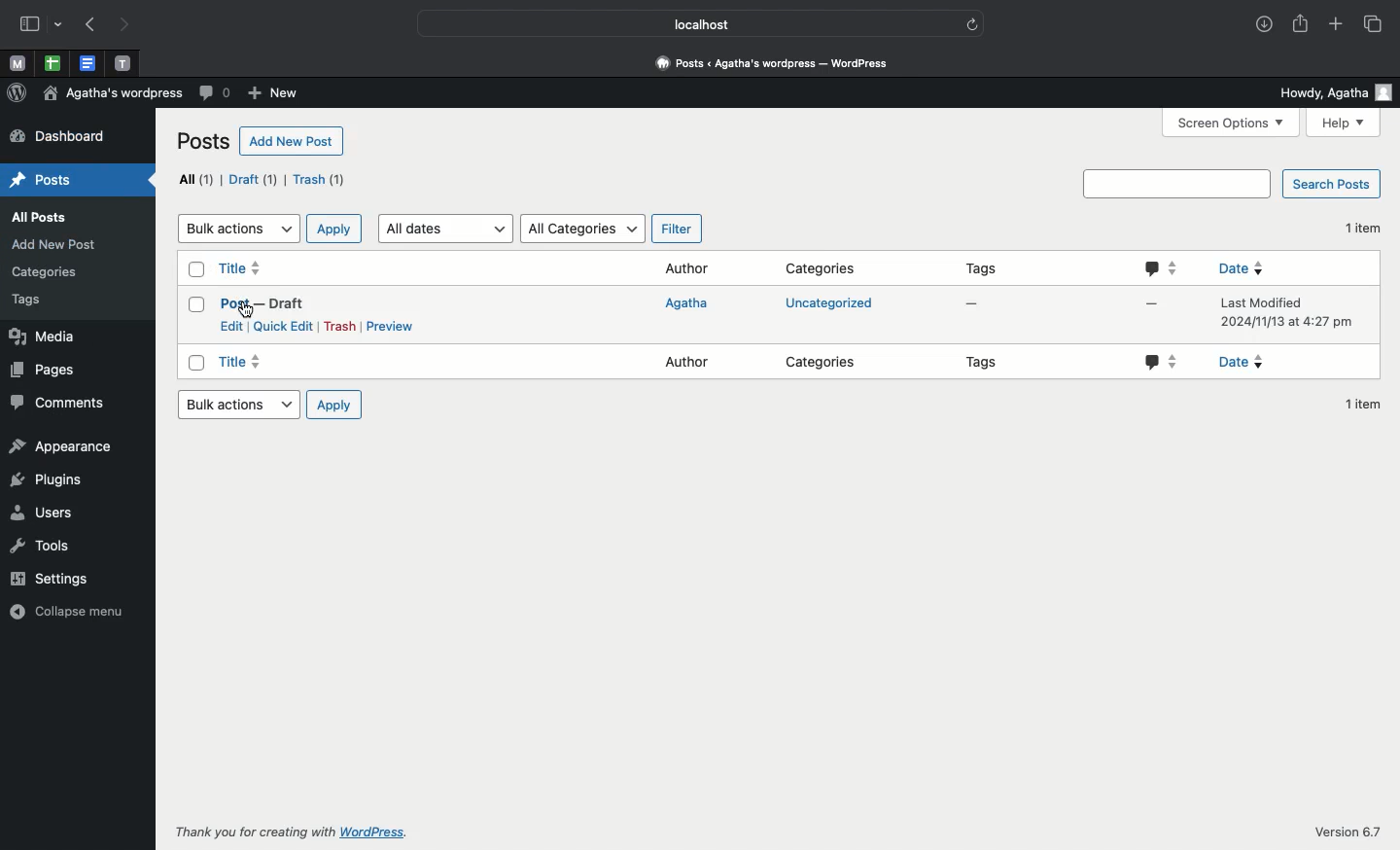 Image resolution: width=1400 pixels, height=850 pixels. What do you see at coordinates (17, 93) in the screenshot?
I see `Wordpress` at bounding box center [17, 93].